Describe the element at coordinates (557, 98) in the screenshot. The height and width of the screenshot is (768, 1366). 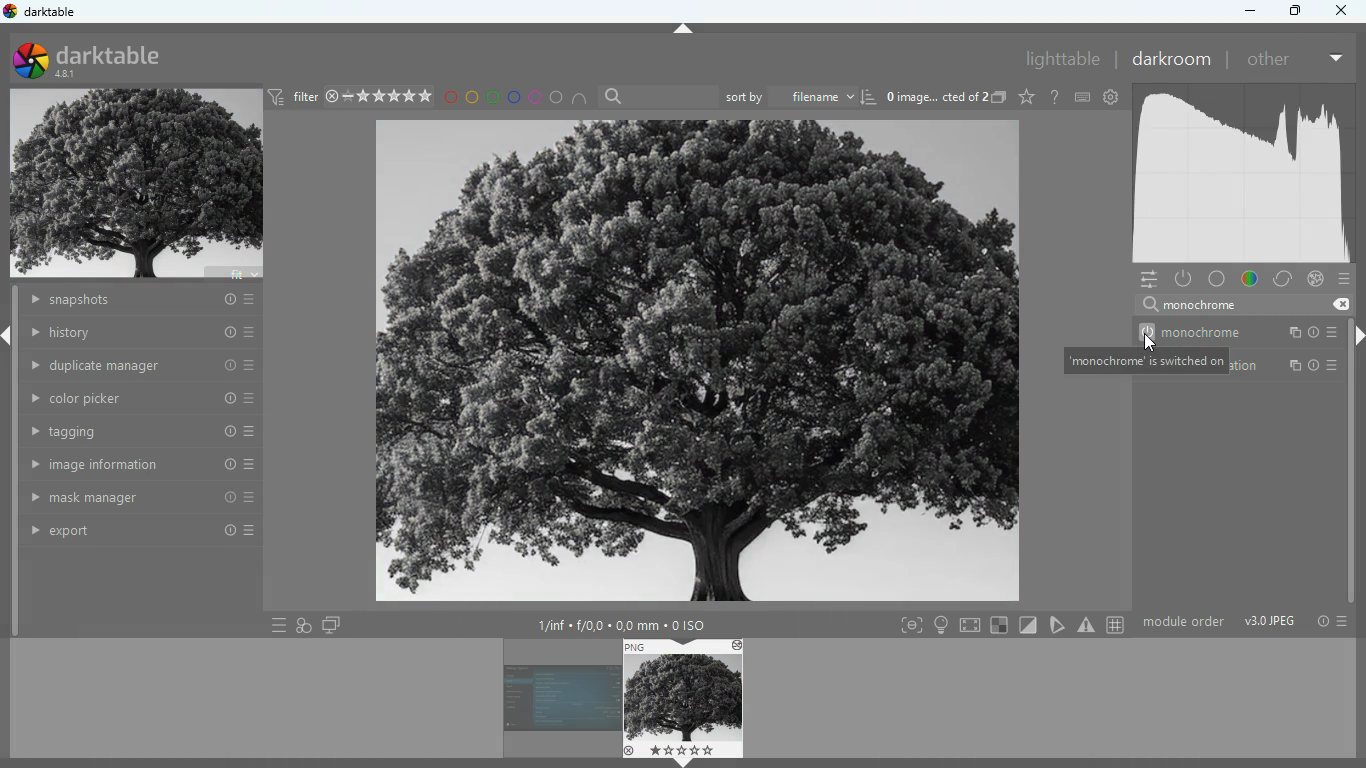
I see `circle` at that location.